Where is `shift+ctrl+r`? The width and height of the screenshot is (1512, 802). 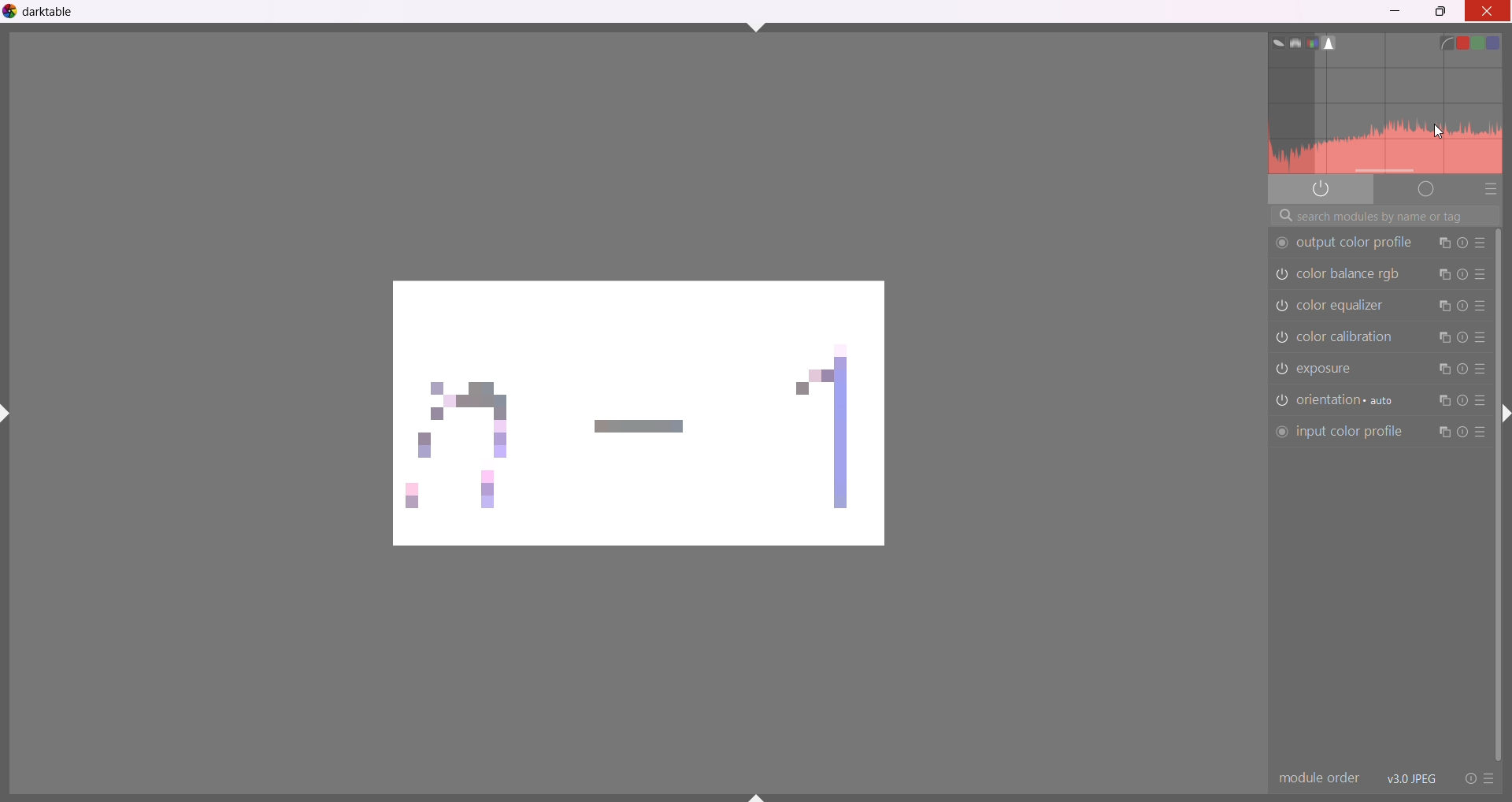 shift+ctrl+r is located at coordinates (1505, 418).